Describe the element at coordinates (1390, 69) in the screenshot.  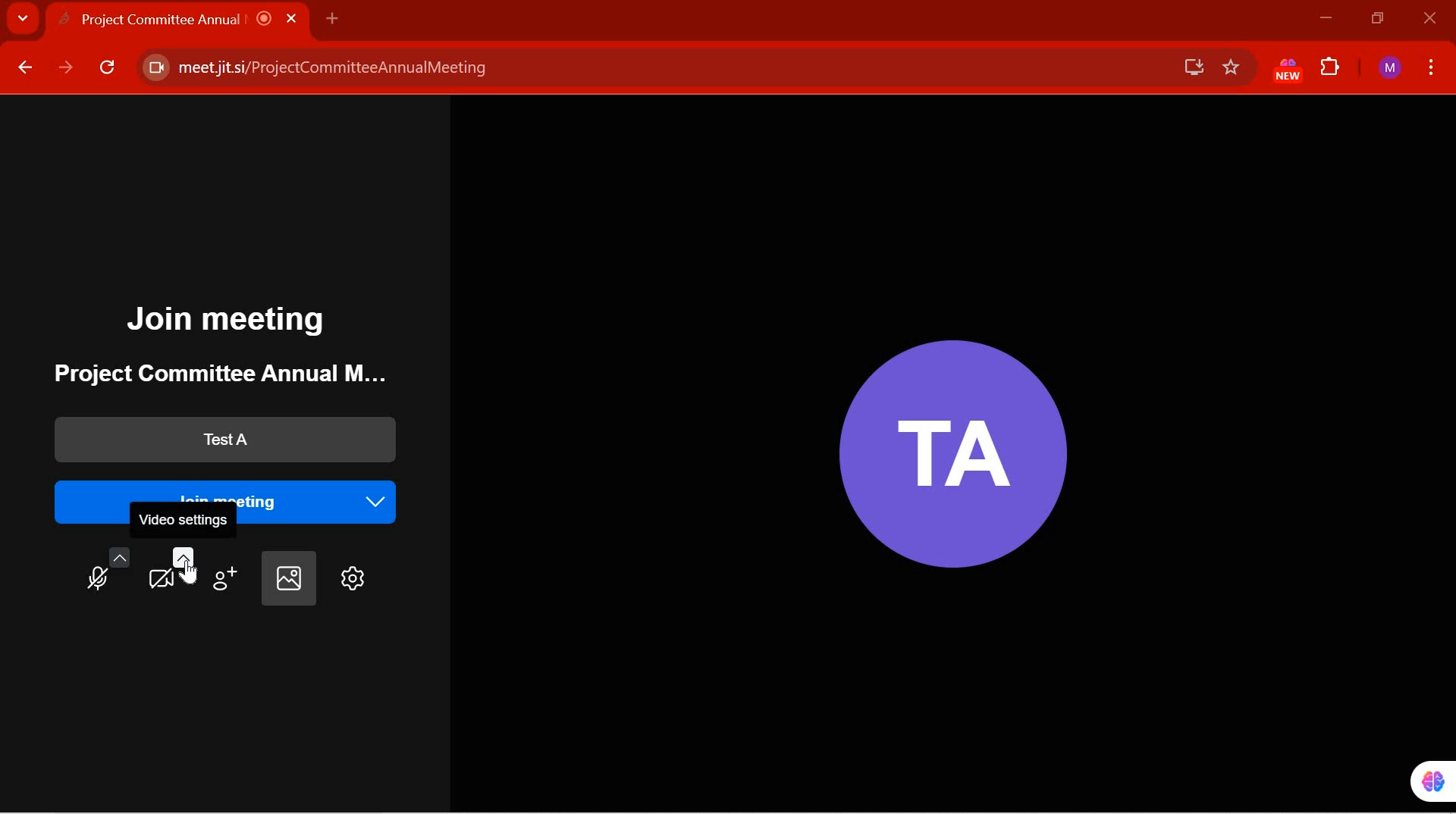
I see `ACCOUNT NAME` at that location.